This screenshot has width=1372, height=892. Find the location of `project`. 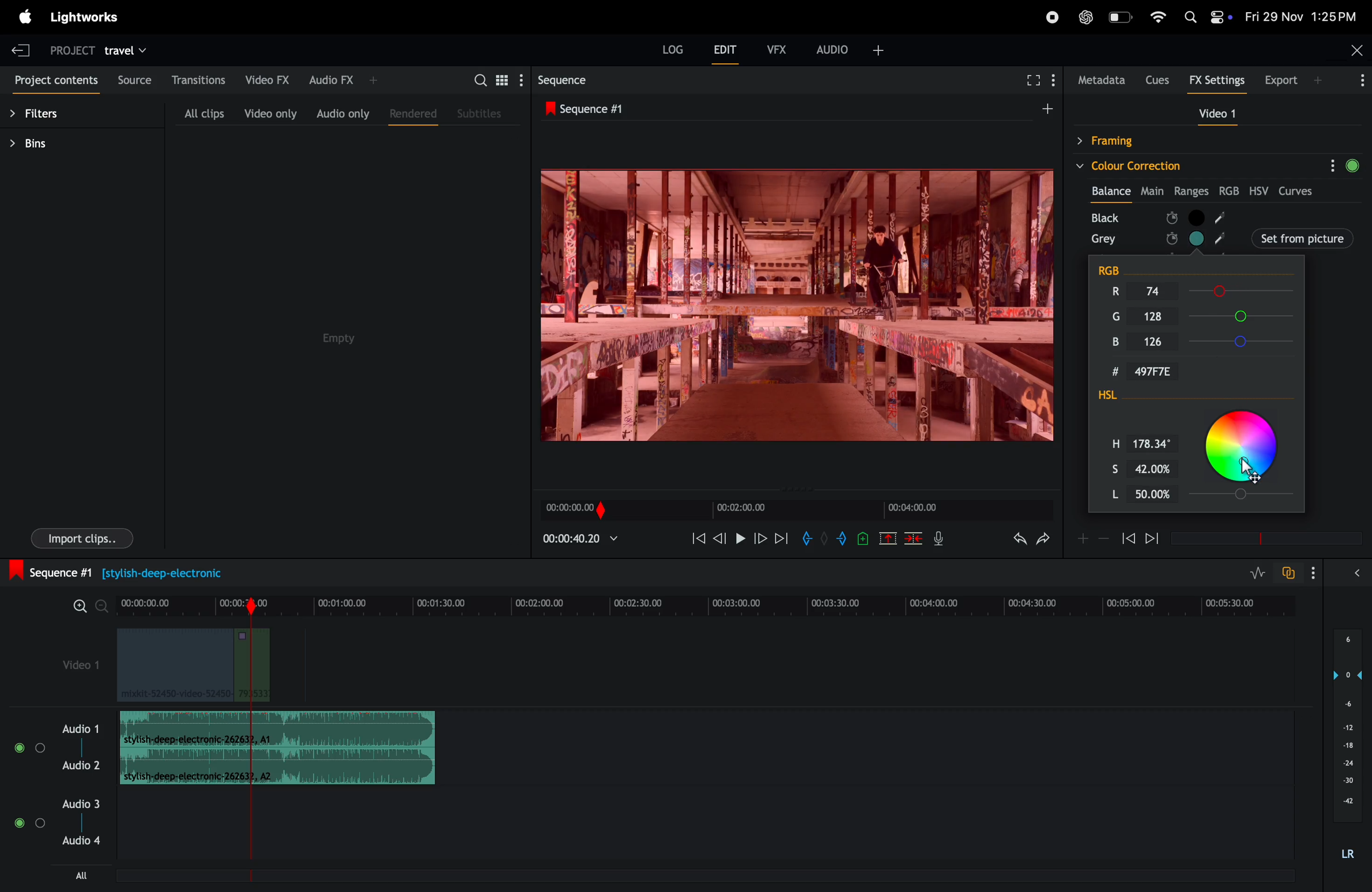

project is located at coordinates (70, 50).